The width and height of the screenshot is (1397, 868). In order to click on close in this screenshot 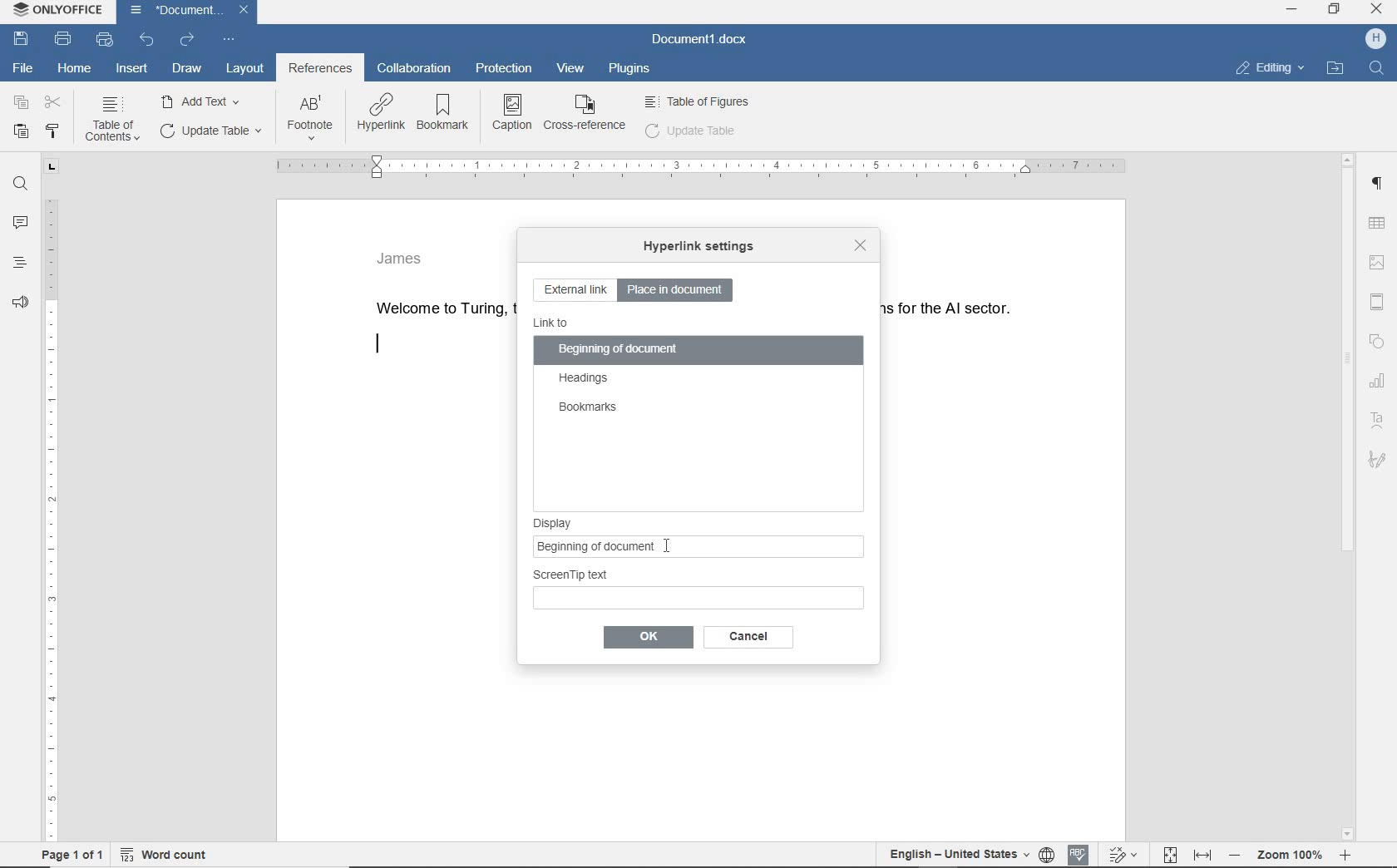, I will do `click(858, 244)`.